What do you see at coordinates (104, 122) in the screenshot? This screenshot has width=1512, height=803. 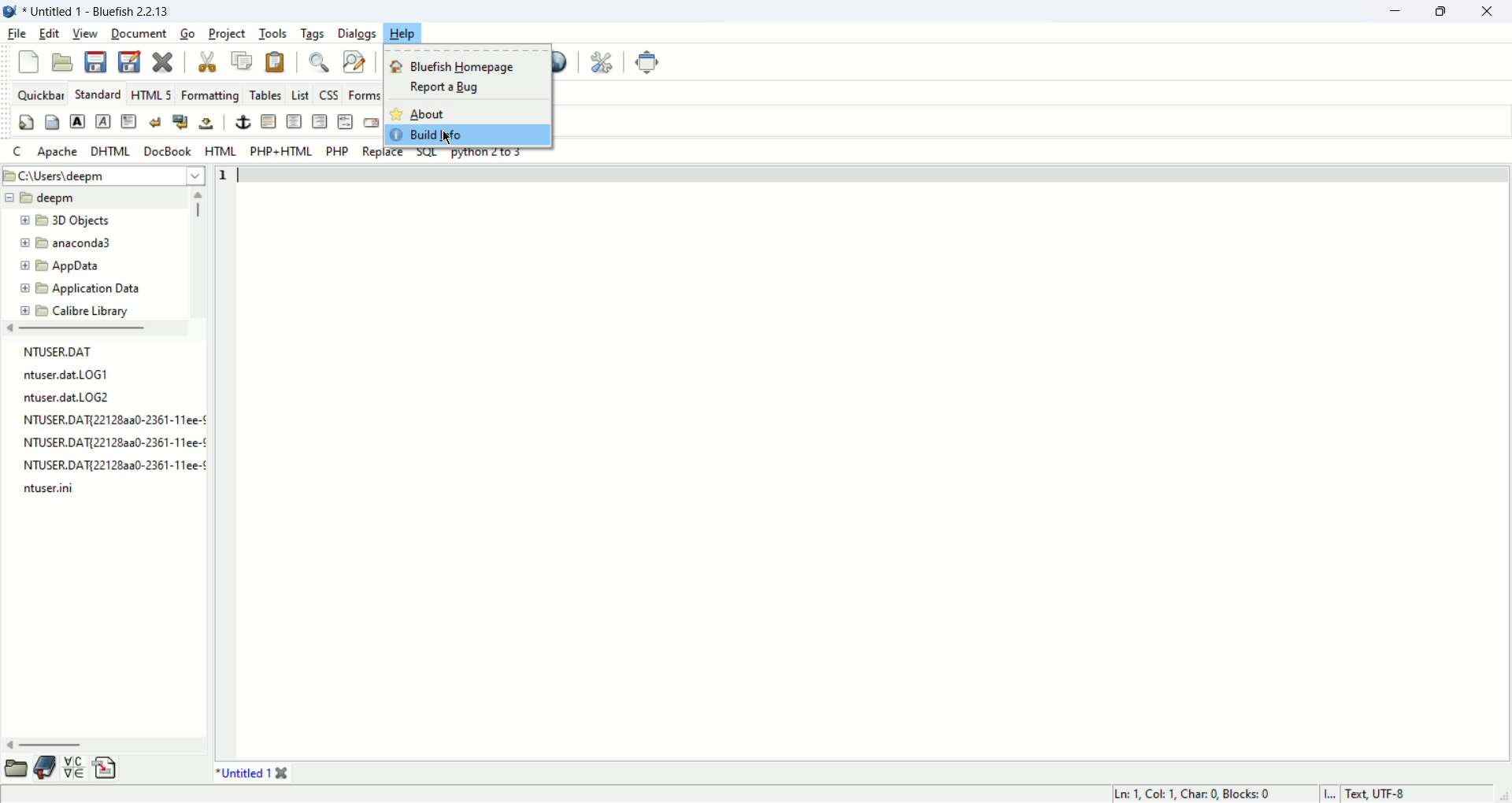 I see `emphasis` at bounding box center [104, 122].